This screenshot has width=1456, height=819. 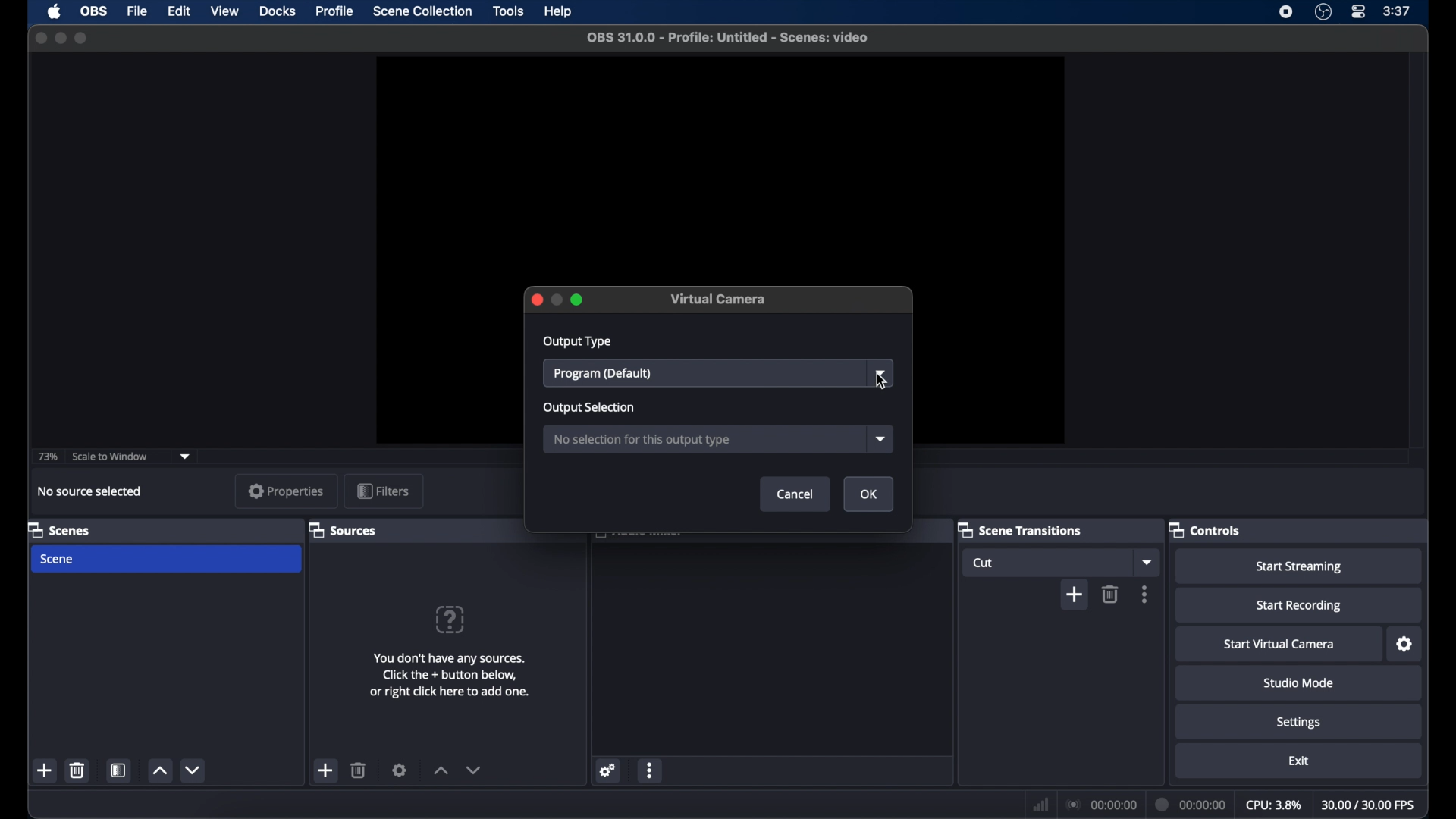 I want to click on scale to window, so click(x=111, y=457).